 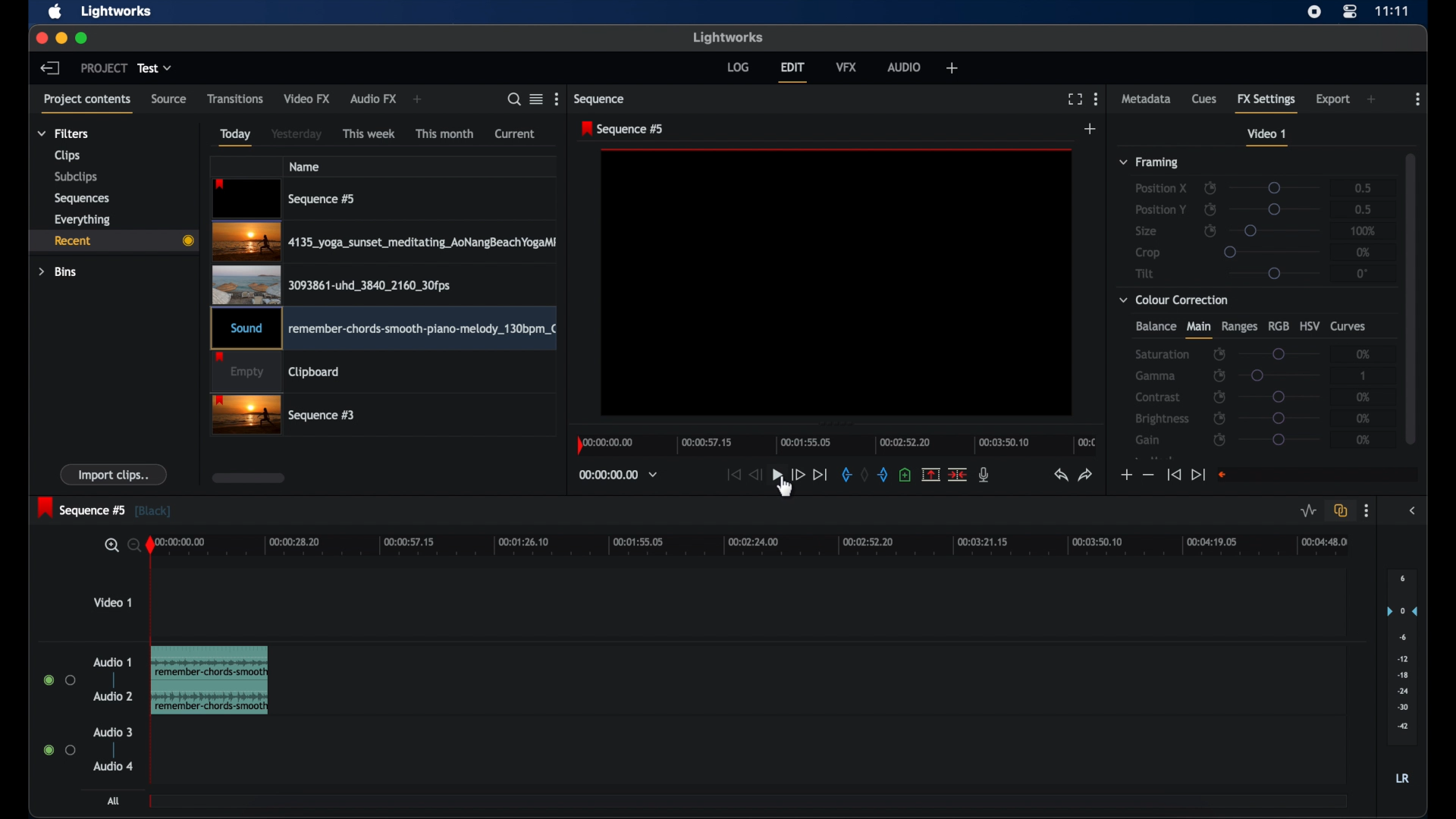 I want to click on enable/disable keyframes, so click(x=1219, y=397).